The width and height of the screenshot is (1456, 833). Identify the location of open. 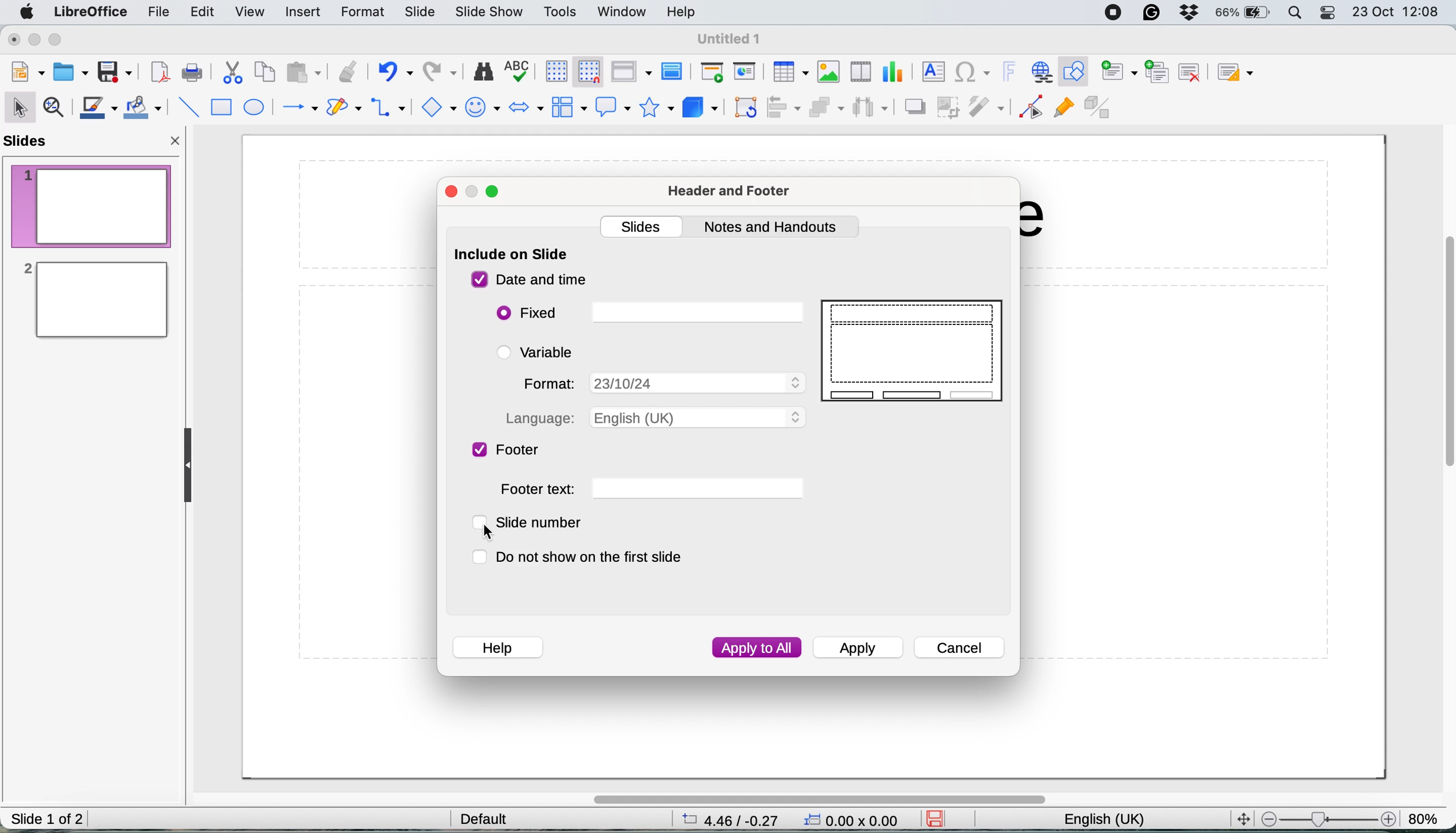
(71, 70).